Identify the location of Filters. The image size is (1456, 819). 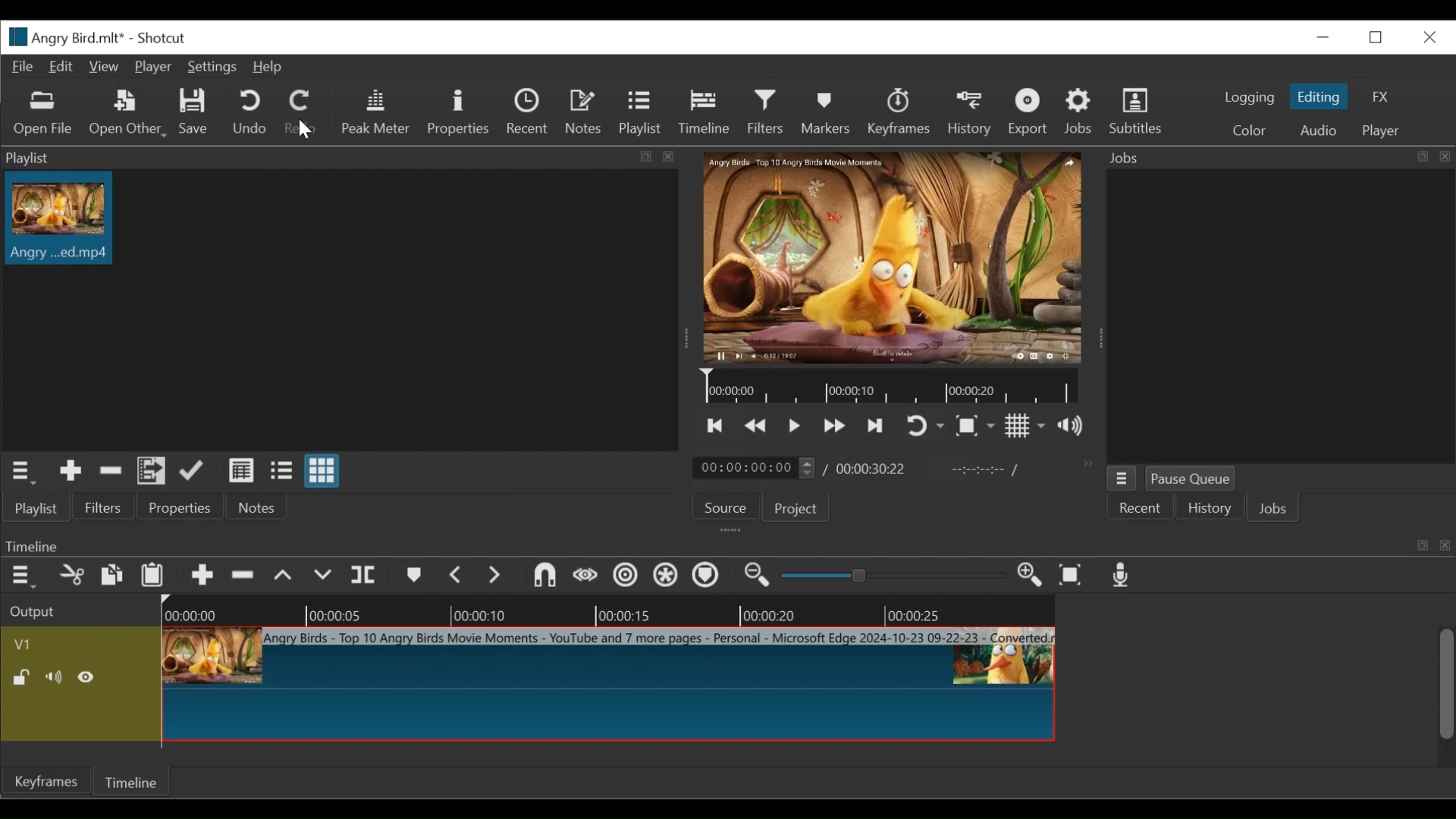
(101, 507).